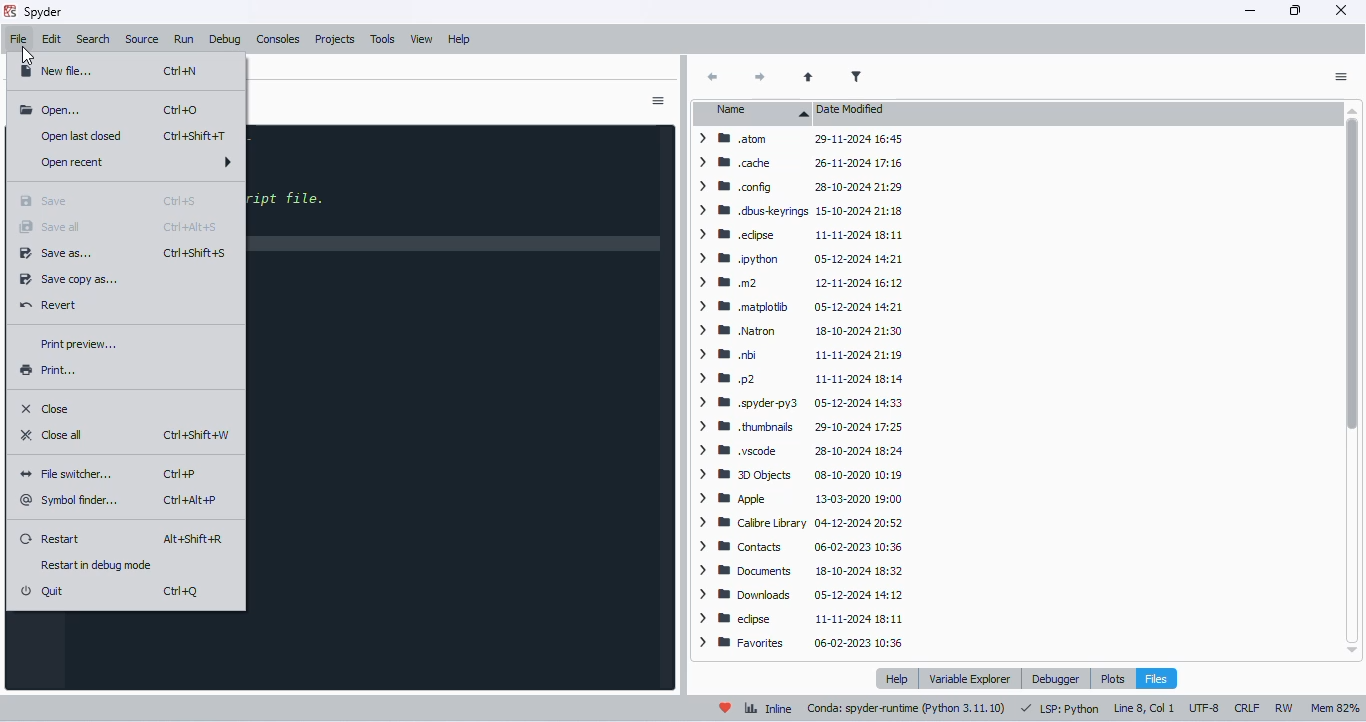 The height and width of the screenshot is (722, 1366). Describe the element at coordinates (797, 522) in the screenshot. I see `> W Caibre Library 04-12-2024 20:52` at that location.